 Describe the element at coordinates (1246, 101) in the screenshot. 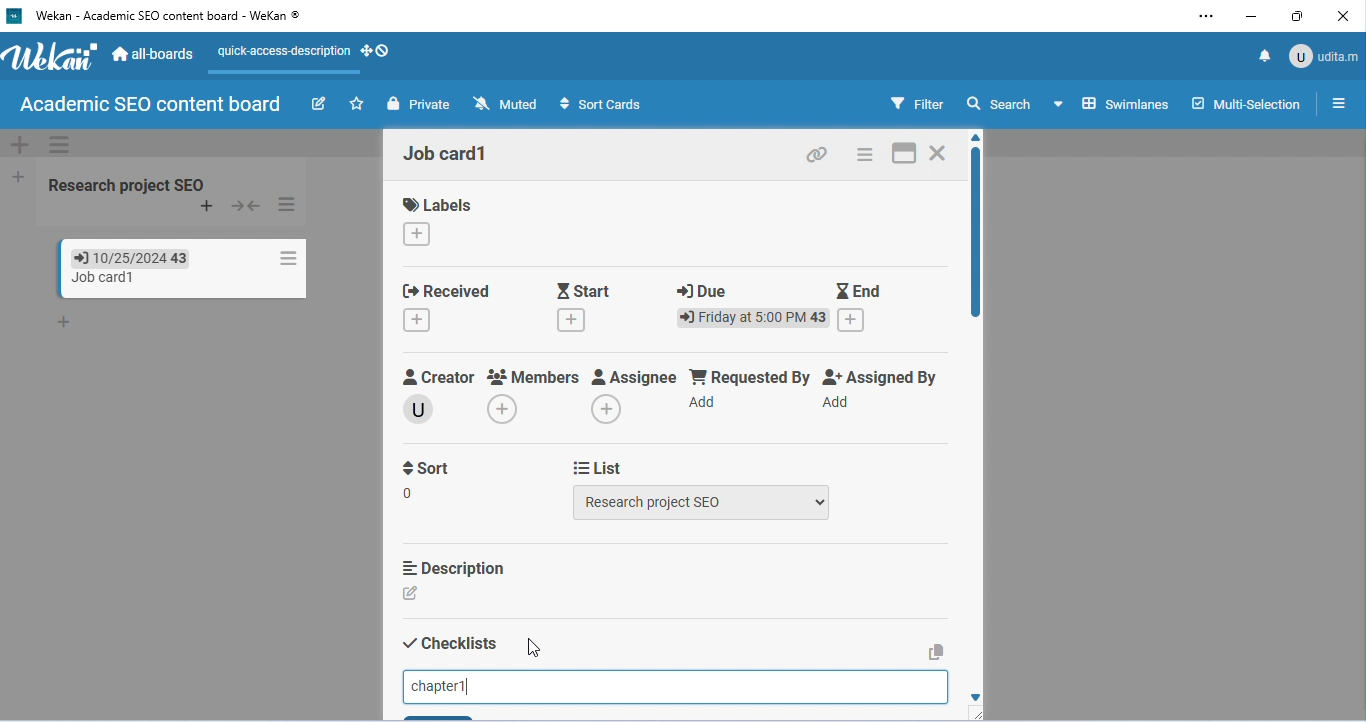

I see `multi-selection` at that location.